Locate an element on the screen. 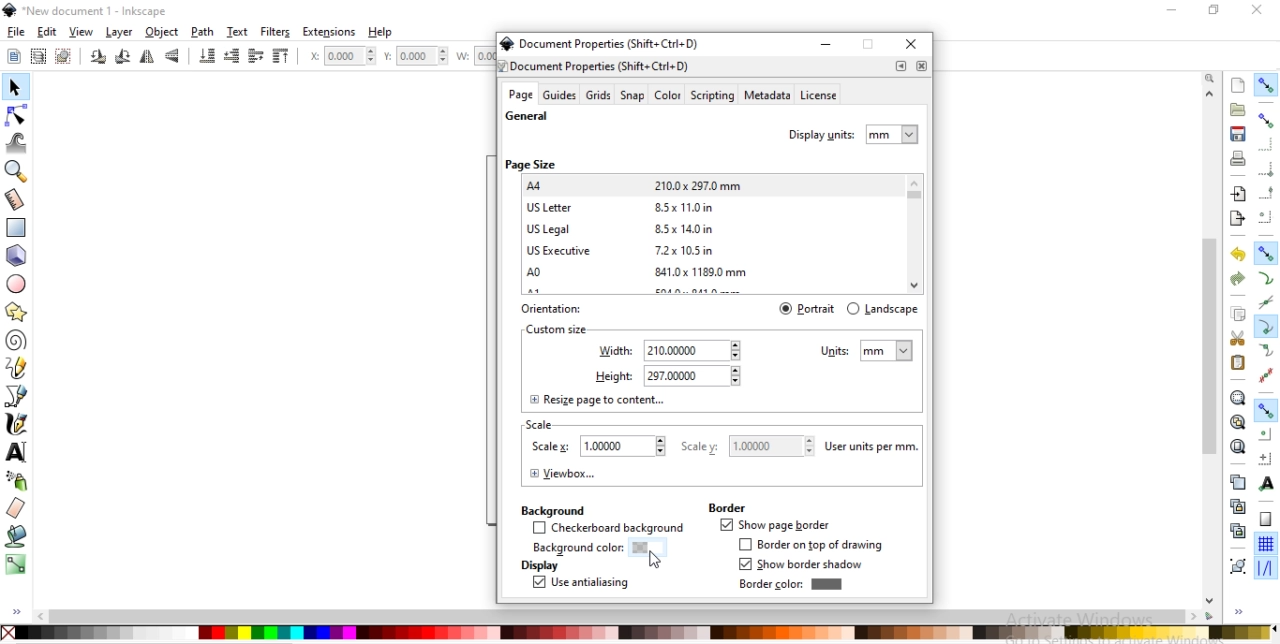 This screenshot has height=644, width=1280. flip vertically is located at coordinates (173, 57).